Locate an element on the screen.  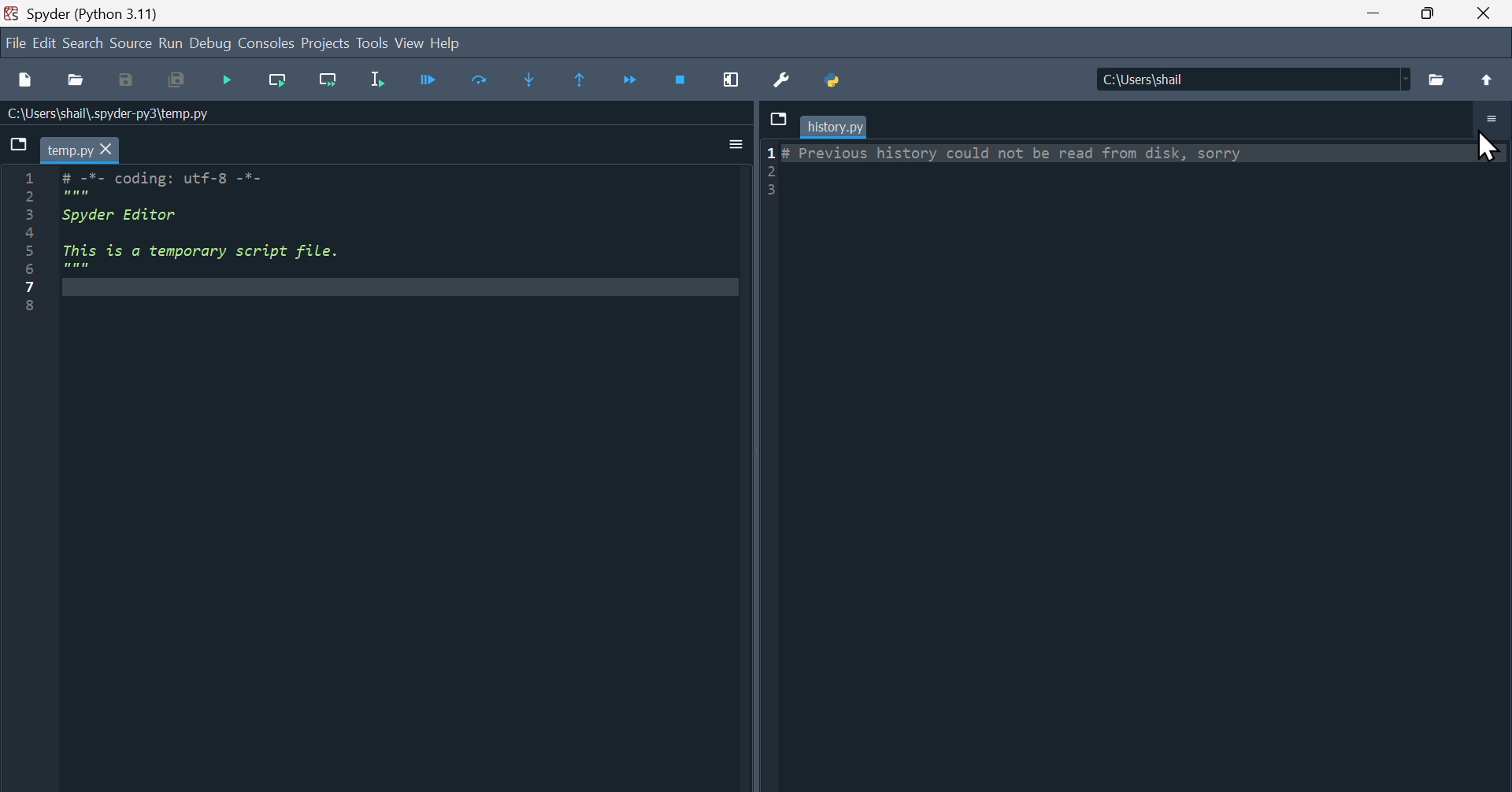
Maximise current window is located at coordinates (732, 80).